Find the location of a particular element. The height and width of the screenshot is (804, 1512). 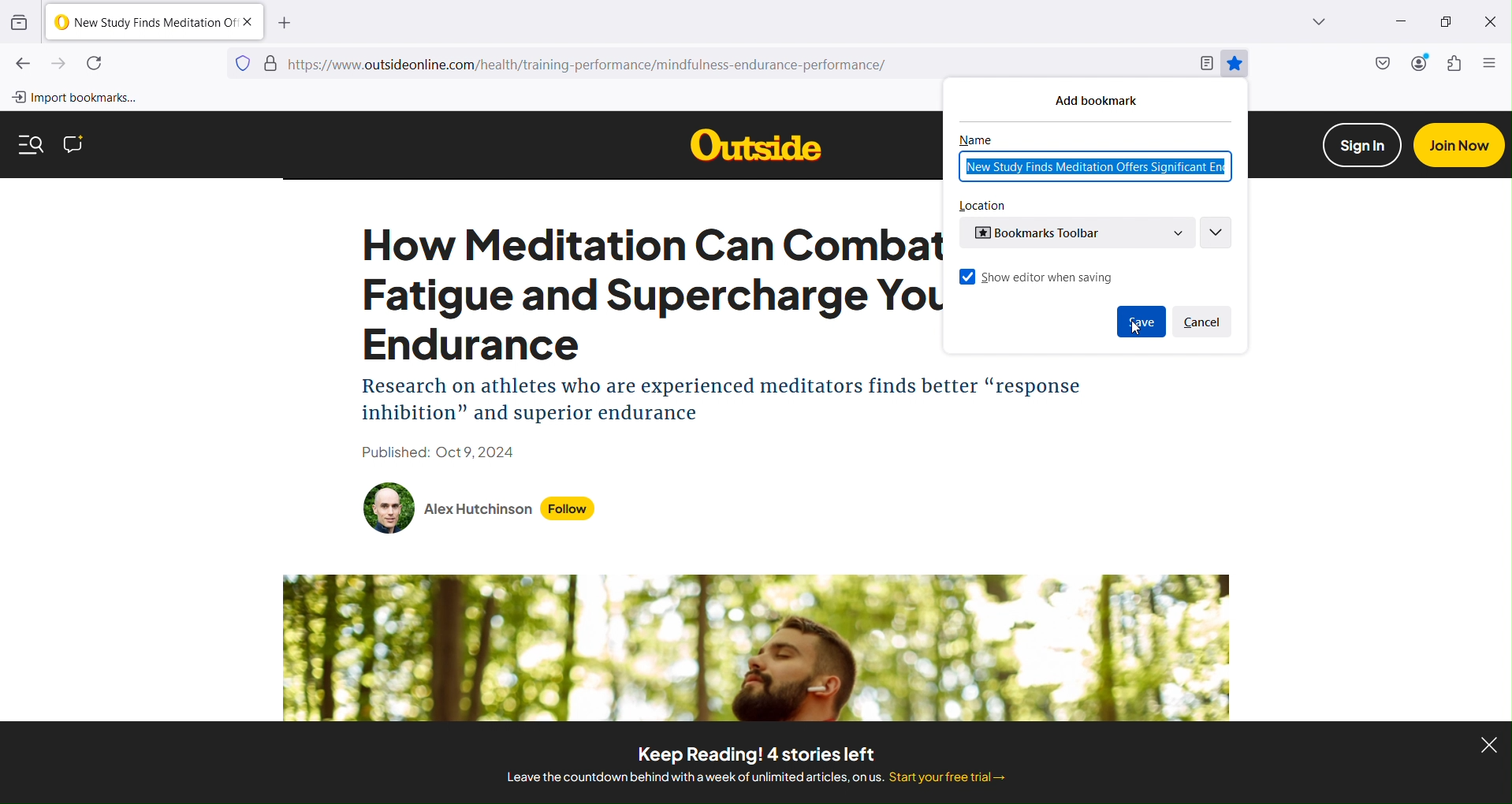

Cursor is located at coordinates (1136, 327).